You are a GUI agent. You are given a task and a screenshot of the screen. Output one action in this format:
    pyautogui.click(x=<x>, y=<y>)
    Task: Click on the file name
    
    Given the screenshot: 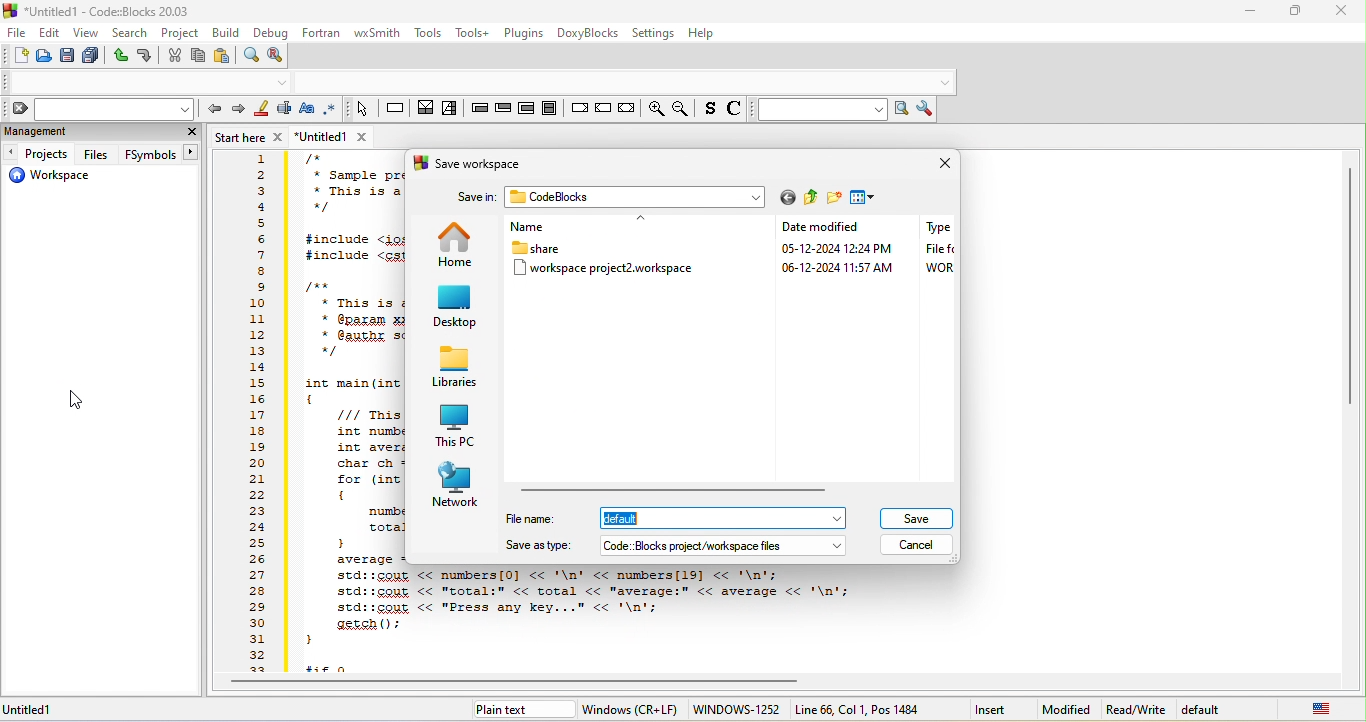 What is the action you would take?
    pyautogui.click(x=658, y=518)
    